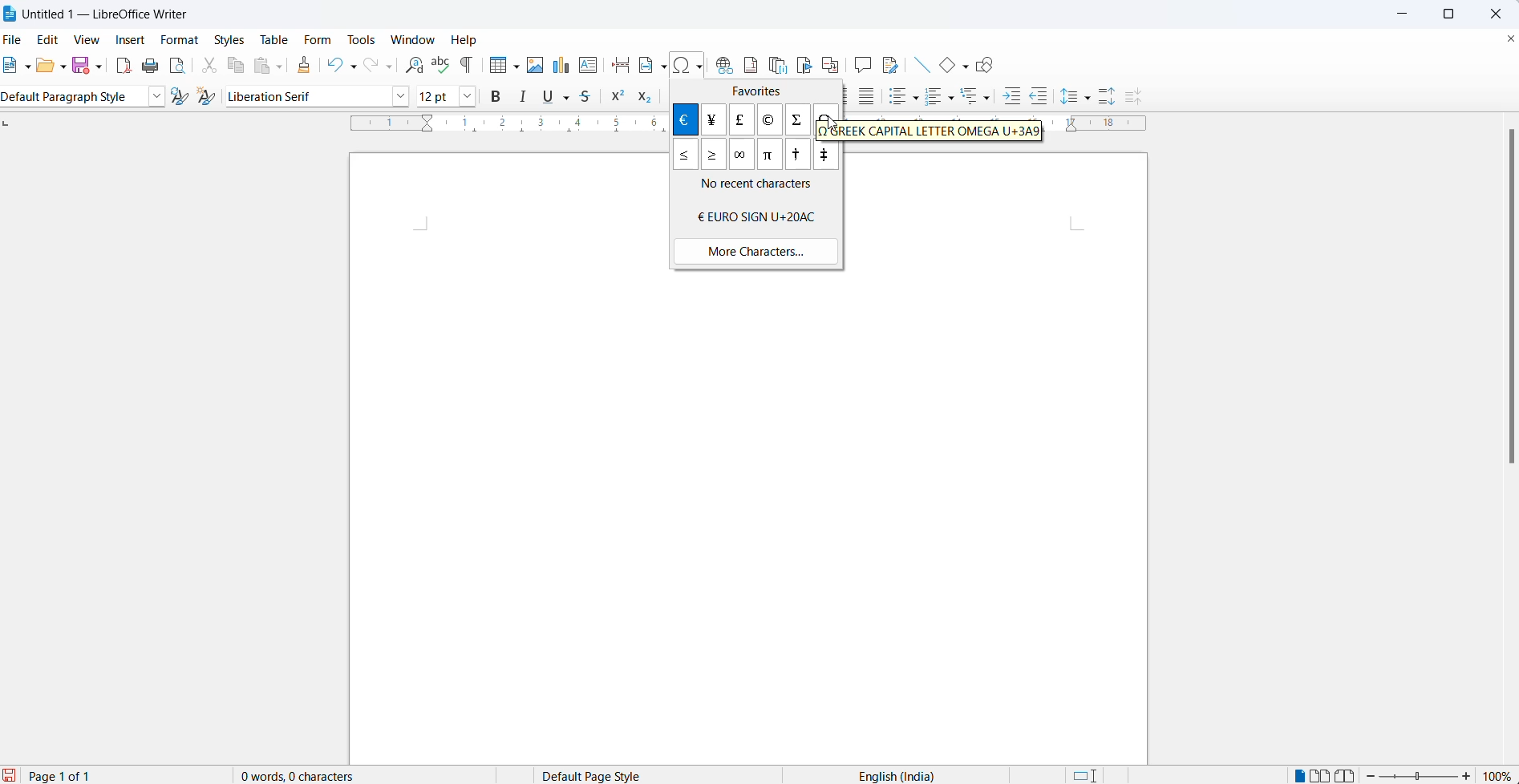 This screenshot has height=784, width=1519. Describe the element at coordinates (686, 156) in the screenshot. I see `smaller than or equal to` at that location.